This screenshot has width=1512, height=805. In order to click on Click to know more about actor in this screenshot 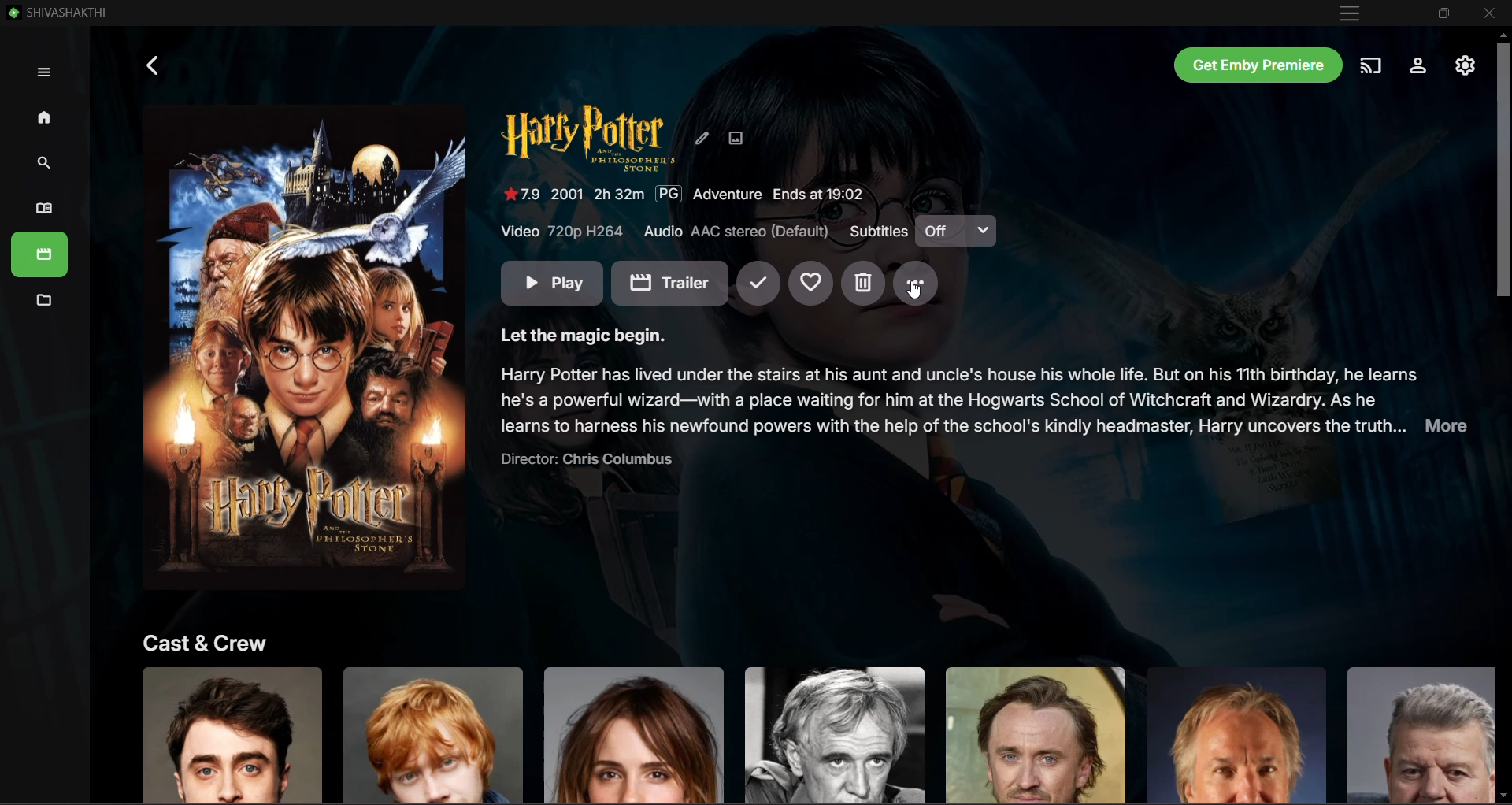, I will do `click(634, 734)`.